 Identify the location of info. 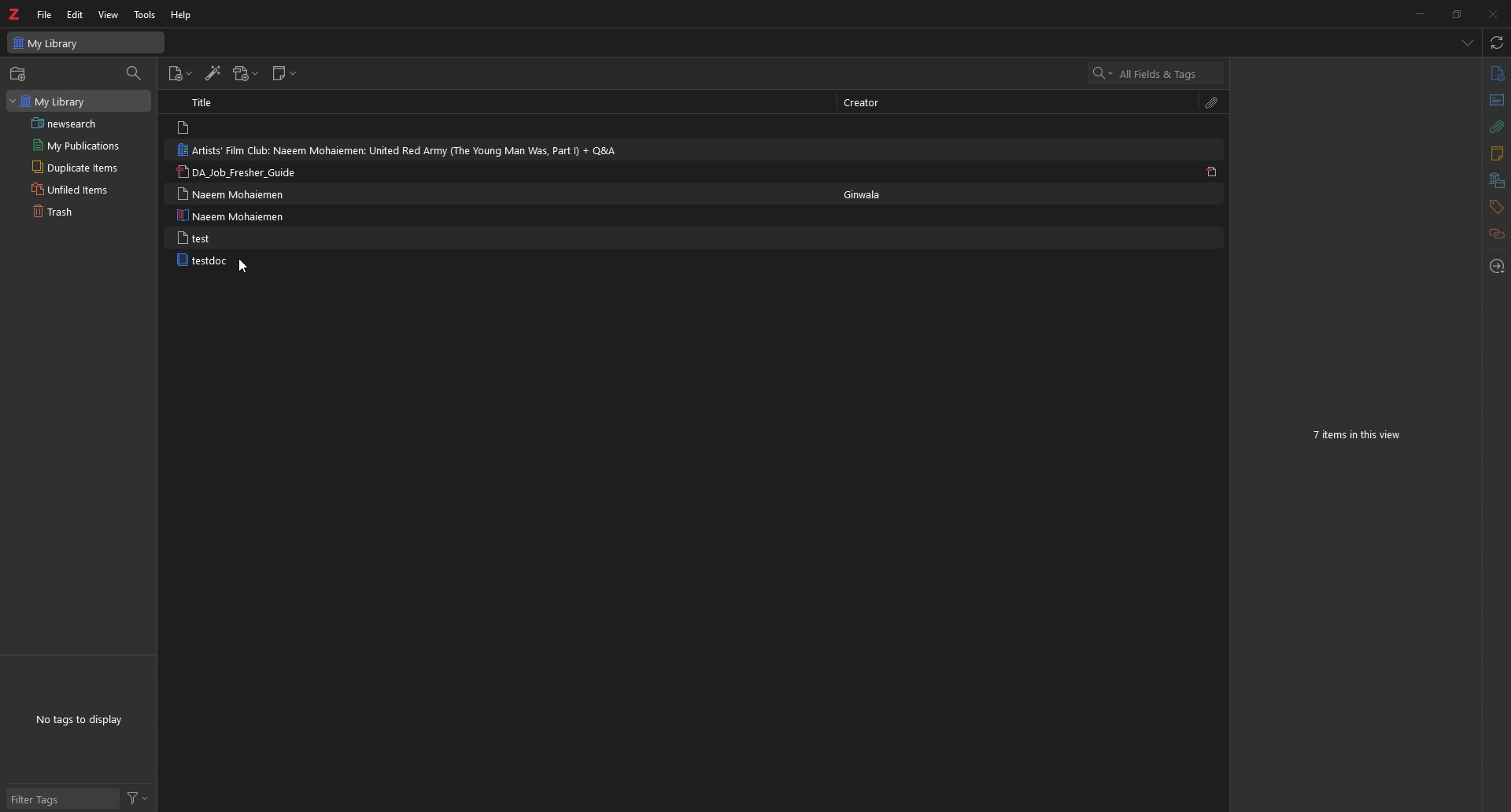
(1494, 74).